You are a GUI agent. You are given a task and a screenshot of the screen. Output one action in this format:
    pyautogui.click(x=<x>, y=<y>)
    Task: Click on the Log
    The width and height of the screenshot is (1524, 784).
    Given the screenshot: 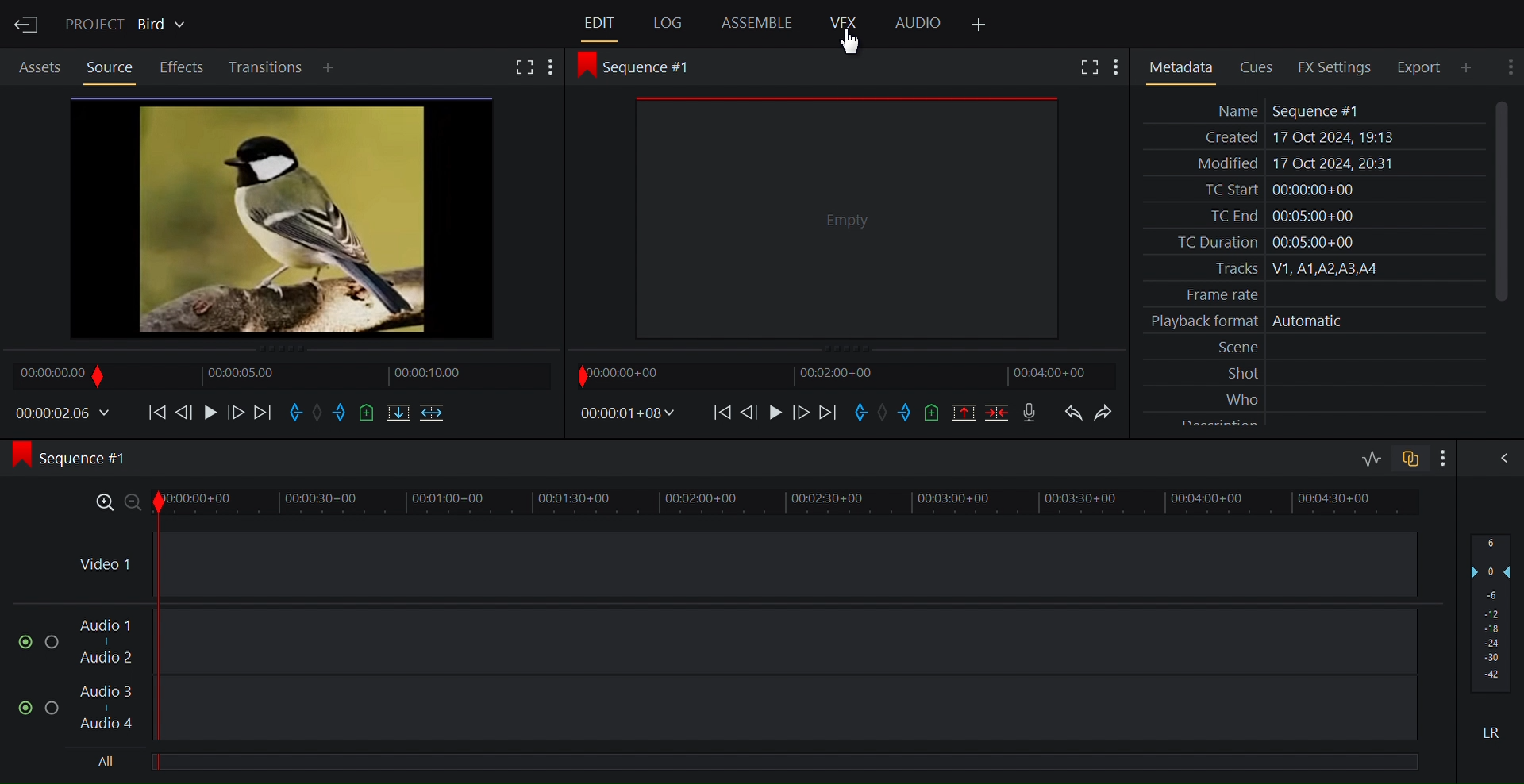 What is the action you would take?
    pyautogui.click(x=665, y=24)
    